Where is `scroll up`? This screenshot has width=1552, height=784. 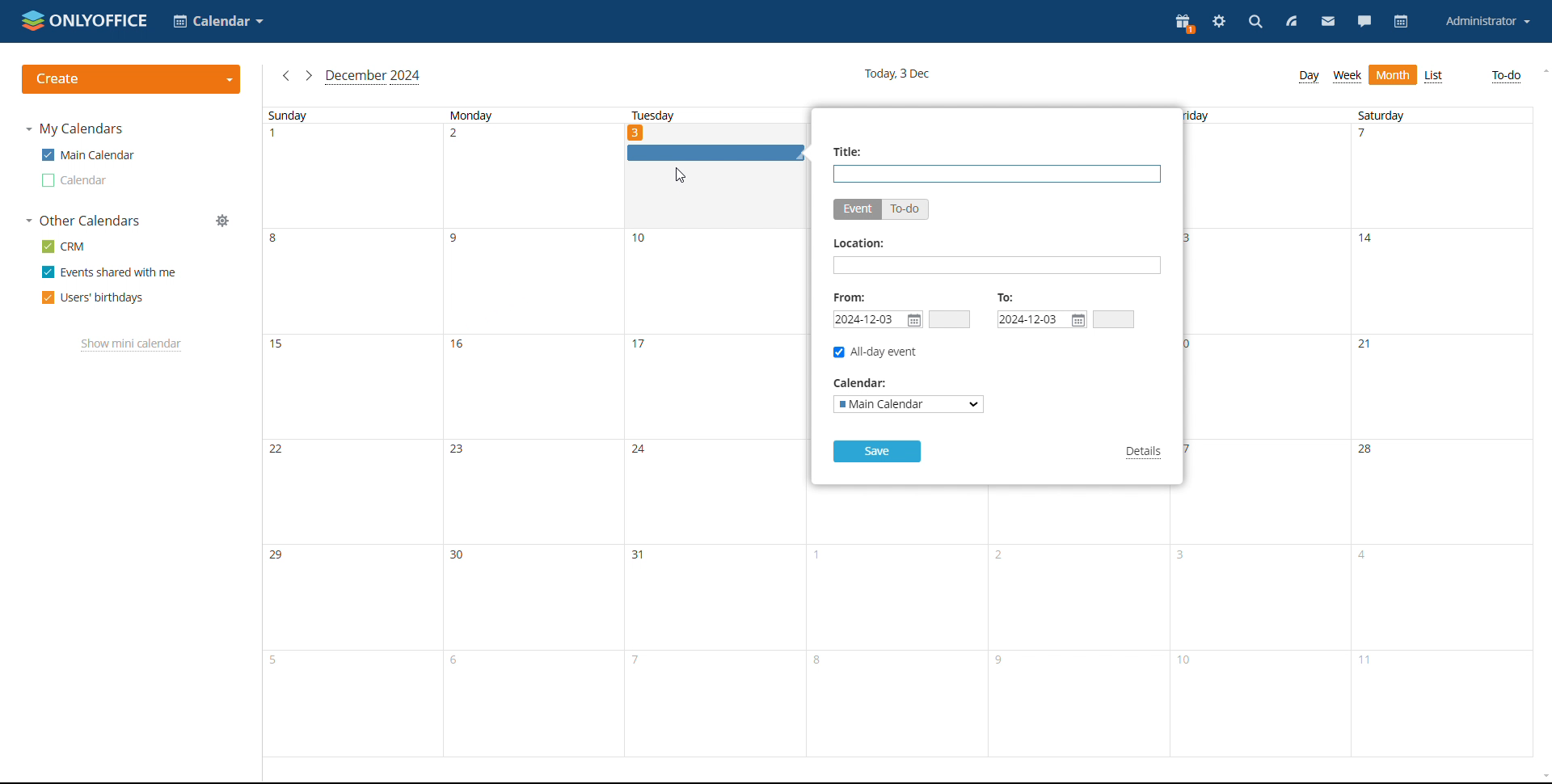 scroll up is located at coordinates (1542, 70).